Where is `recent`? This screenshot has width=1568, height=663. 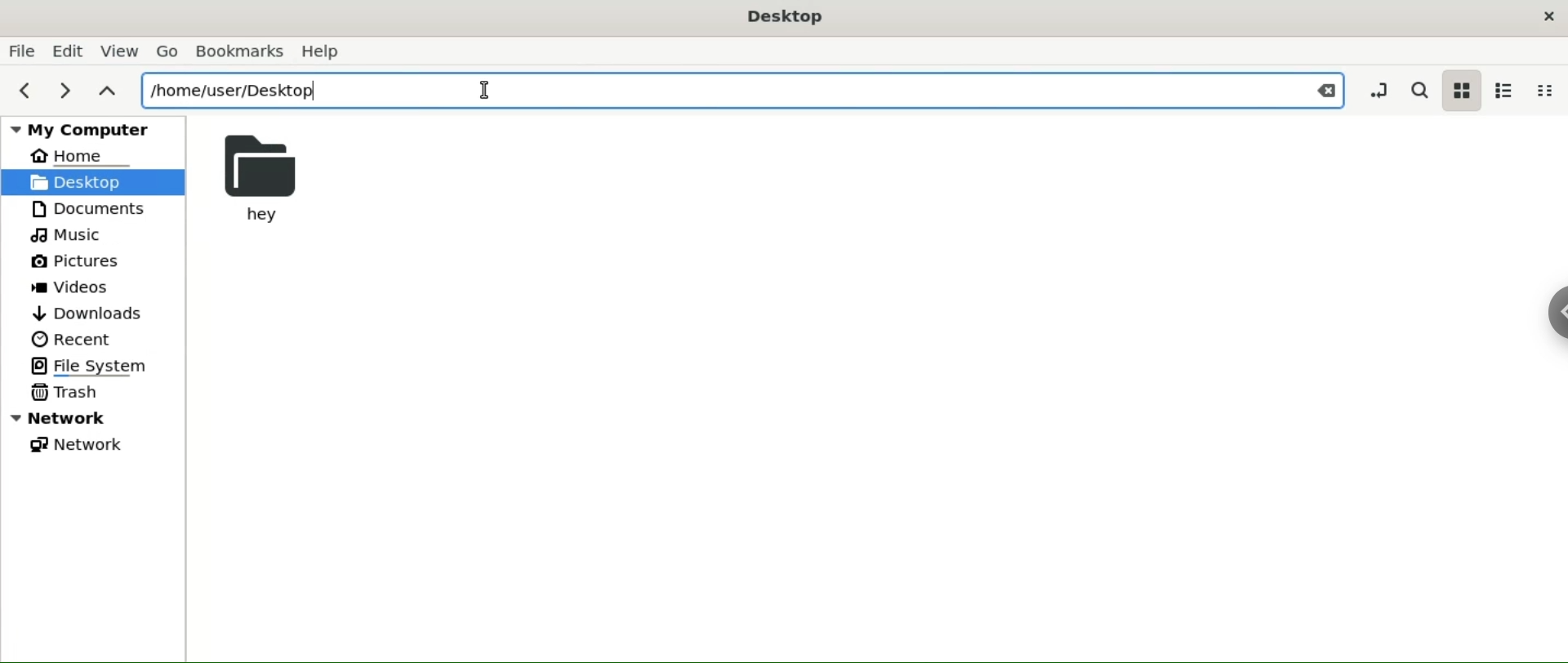
recent is located at coordinates (69, 339).